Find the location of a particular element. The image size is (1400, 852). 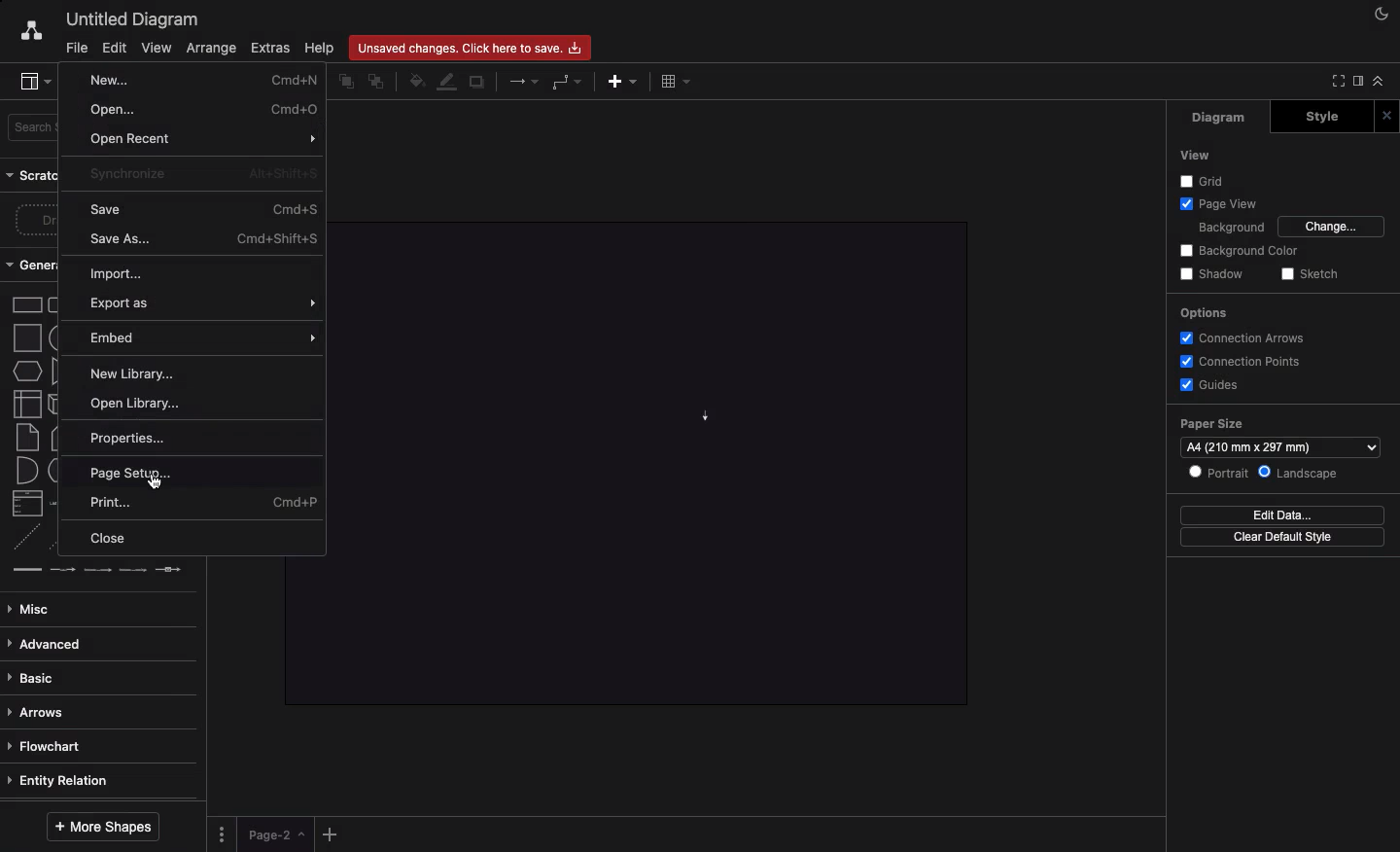

Save is located at coordinates (106, 210).